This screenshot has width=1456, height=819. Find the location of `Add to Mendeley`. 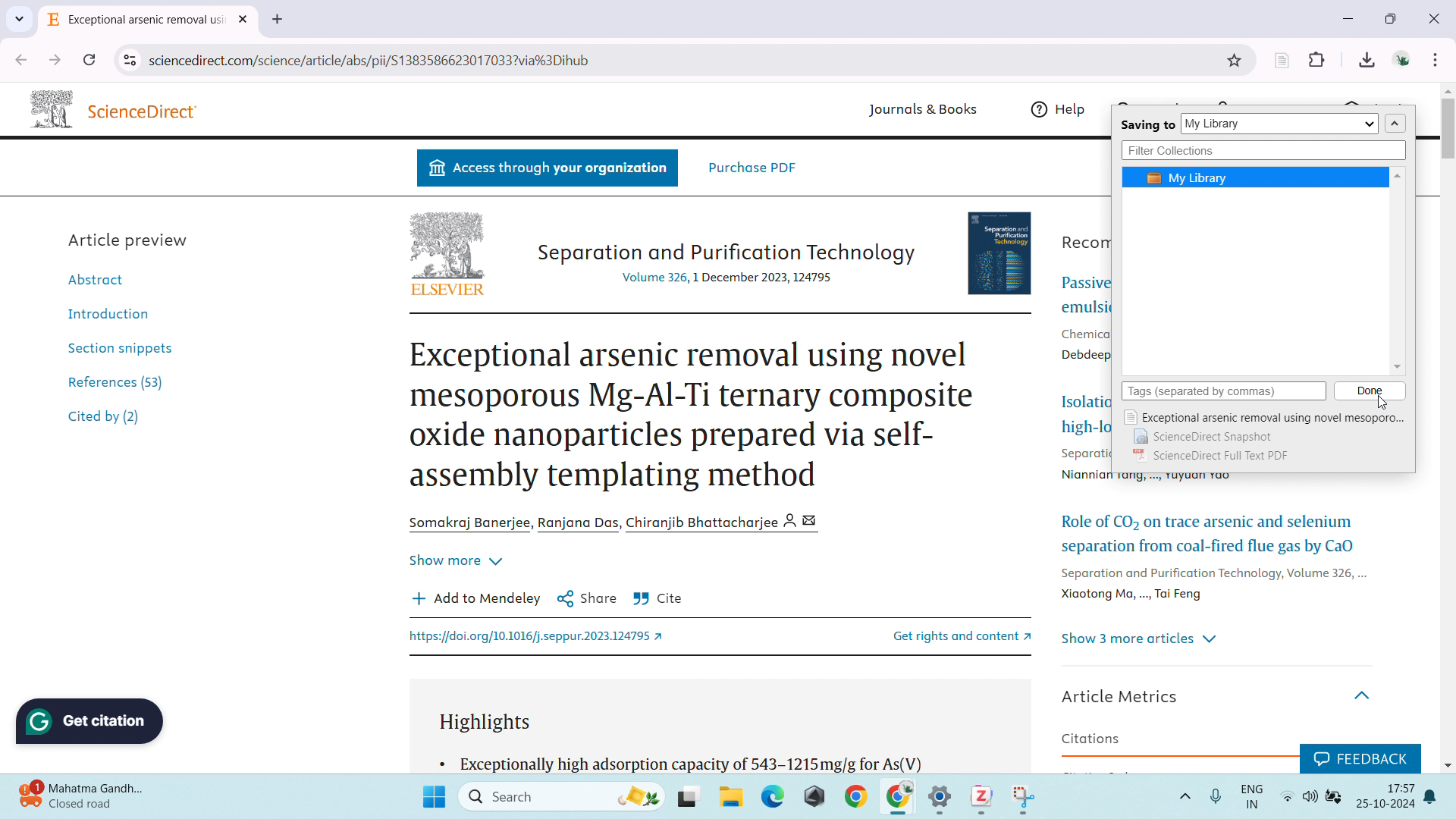

Add to Mendeley is located at coordinates (476, 598).